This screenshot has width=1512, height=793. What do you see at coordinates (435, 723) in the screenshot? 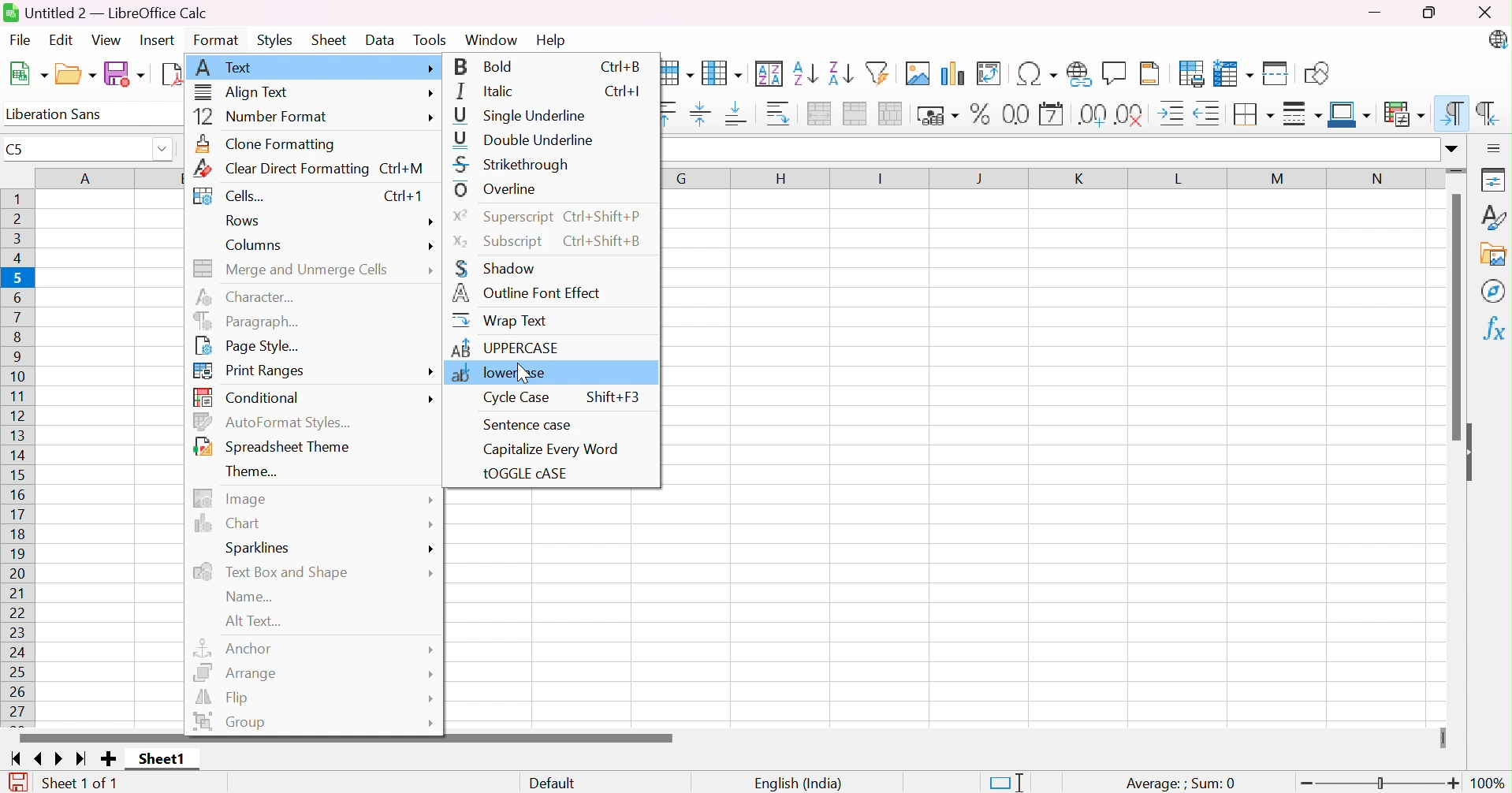
I see `More` at bounding box center [435, 723].